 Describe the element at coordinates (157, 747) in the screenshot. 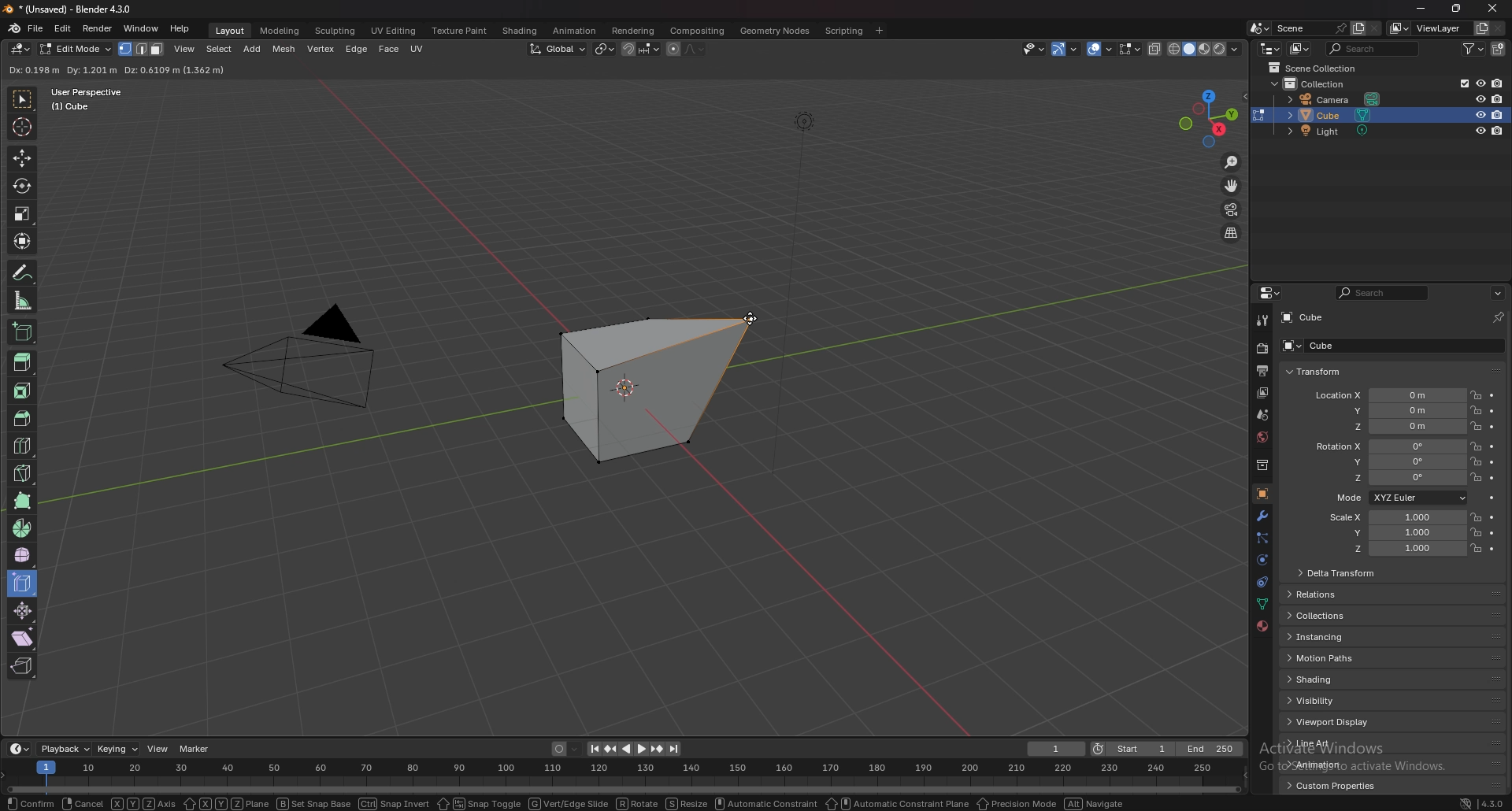

I see `view` at that location.